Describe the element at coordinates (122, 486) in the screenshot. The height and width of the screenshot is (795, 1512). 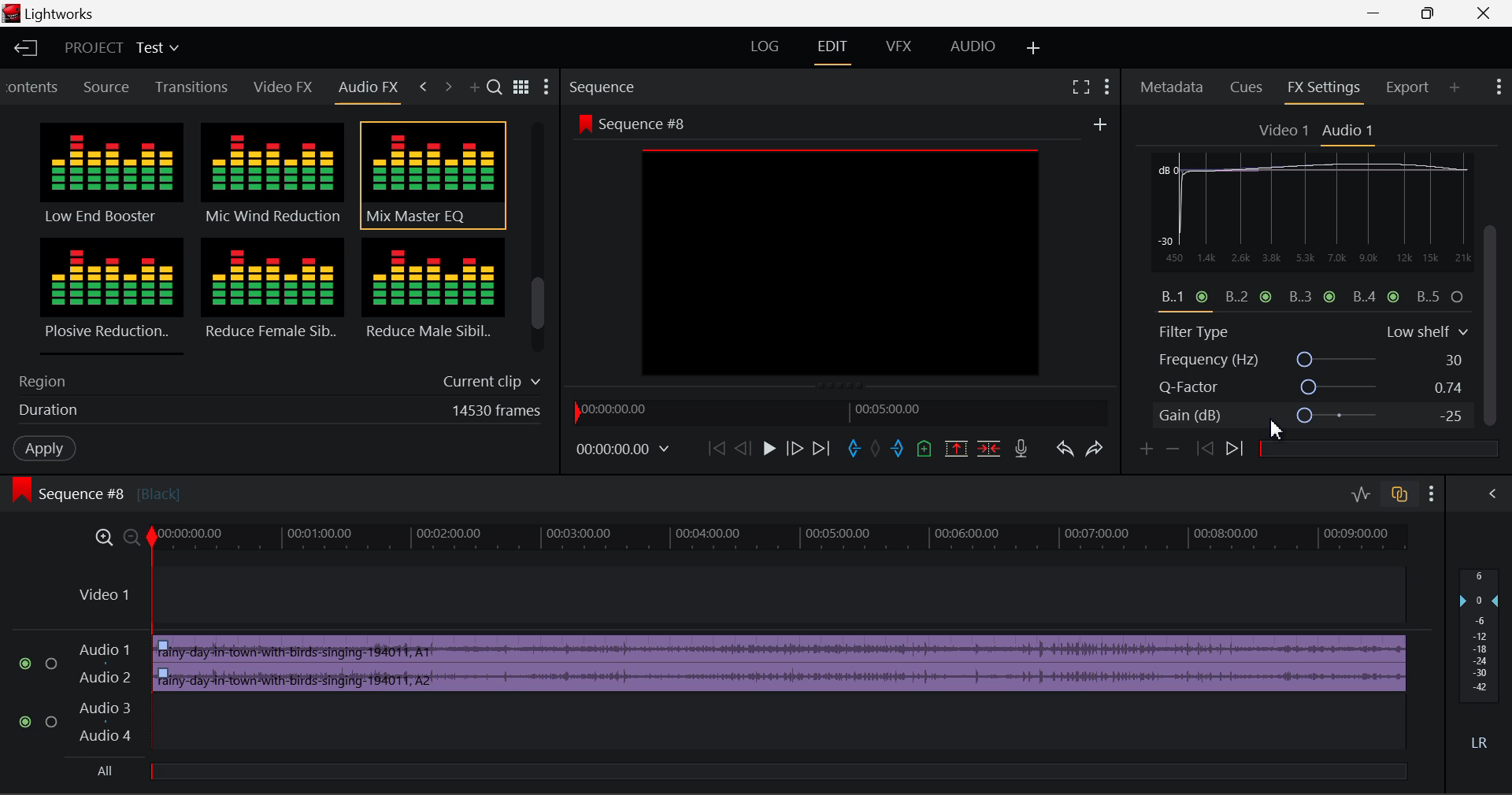
I see `Sequence #8` at that location.